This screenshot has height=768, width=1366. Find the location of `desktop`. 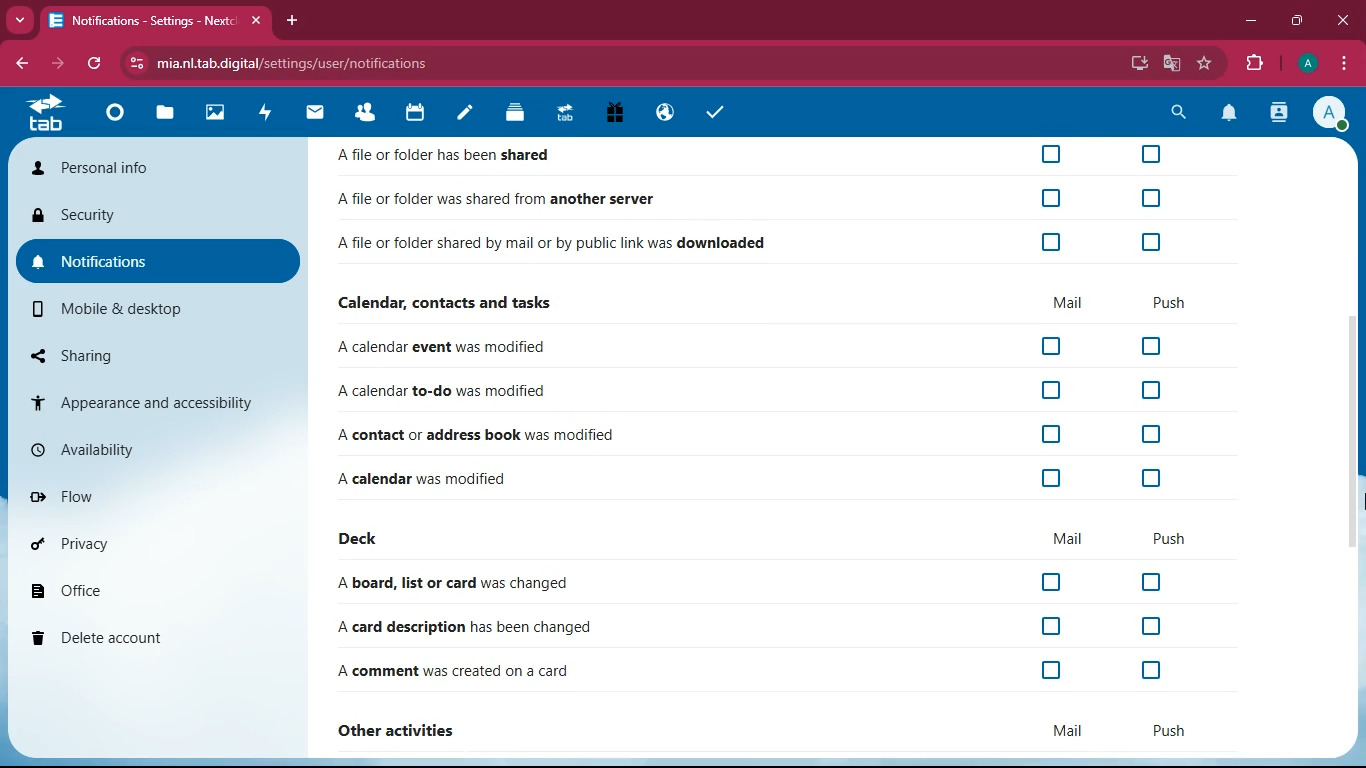

desktop is located at coordinates (1136, 64).